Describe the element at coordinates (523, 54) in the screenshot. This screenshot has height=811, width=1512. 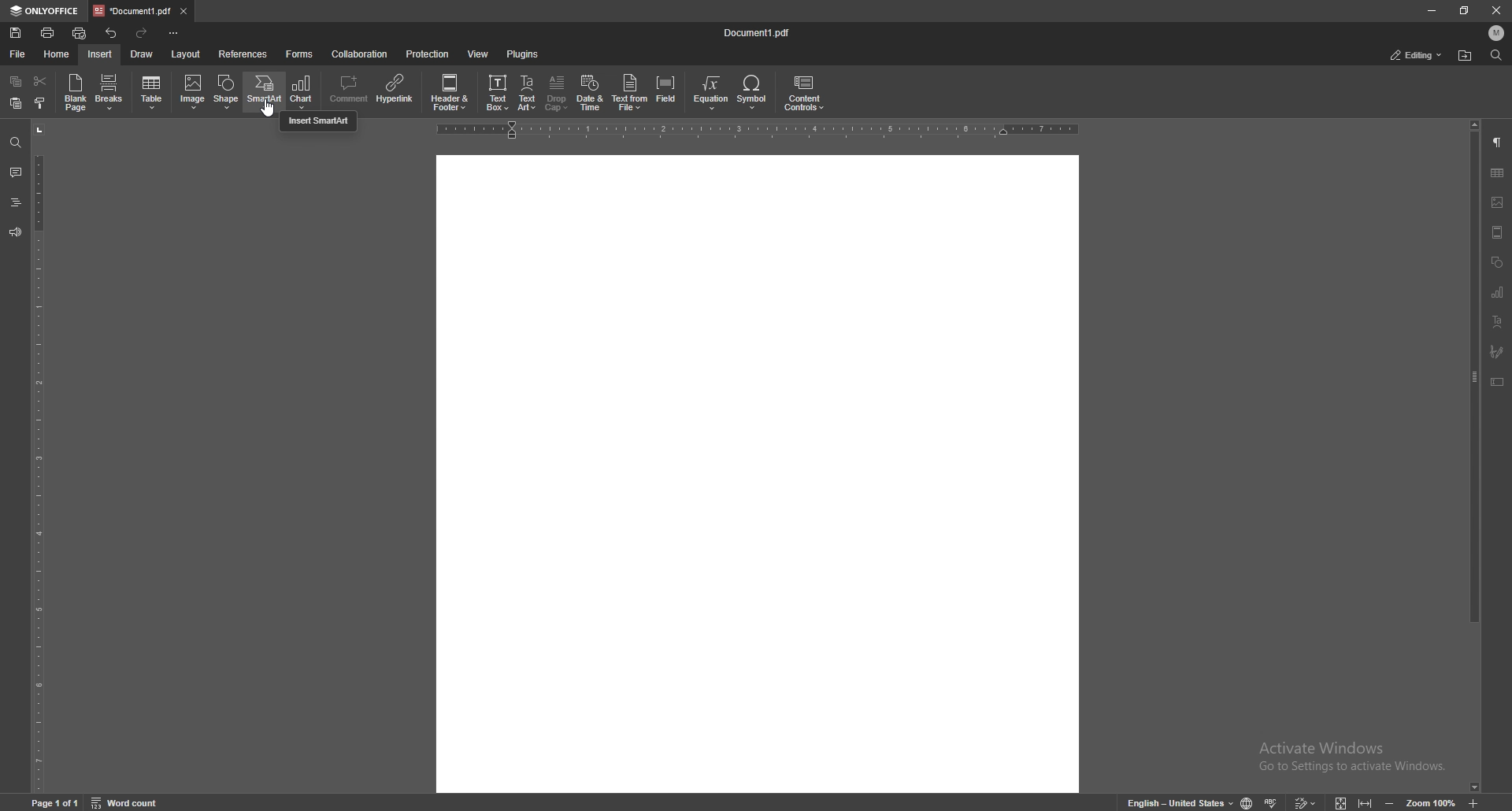
I see `plugins` at that location.